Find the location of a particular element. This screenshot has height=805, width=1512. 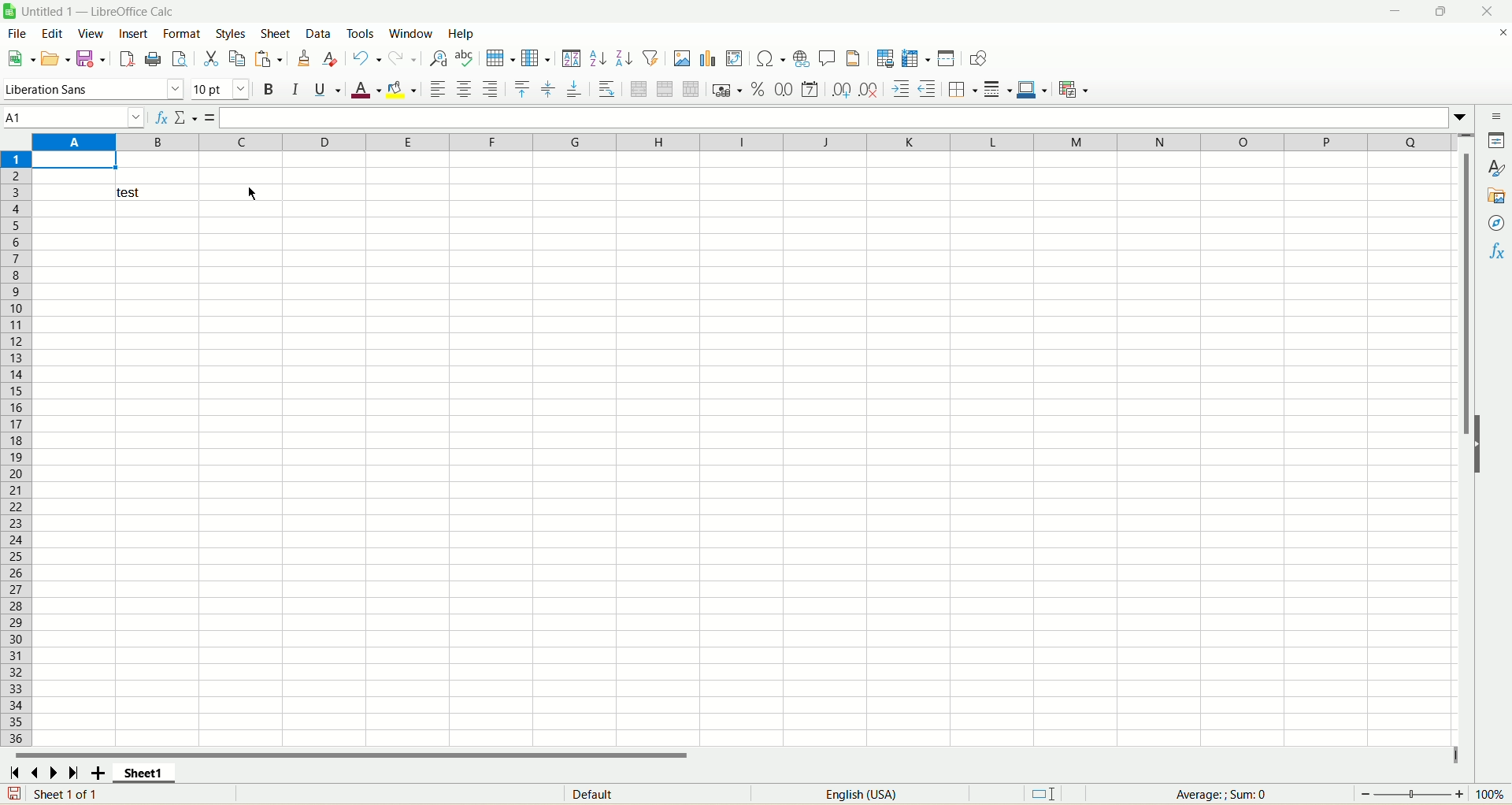

sort ascending is located at coordinates (598, 58).